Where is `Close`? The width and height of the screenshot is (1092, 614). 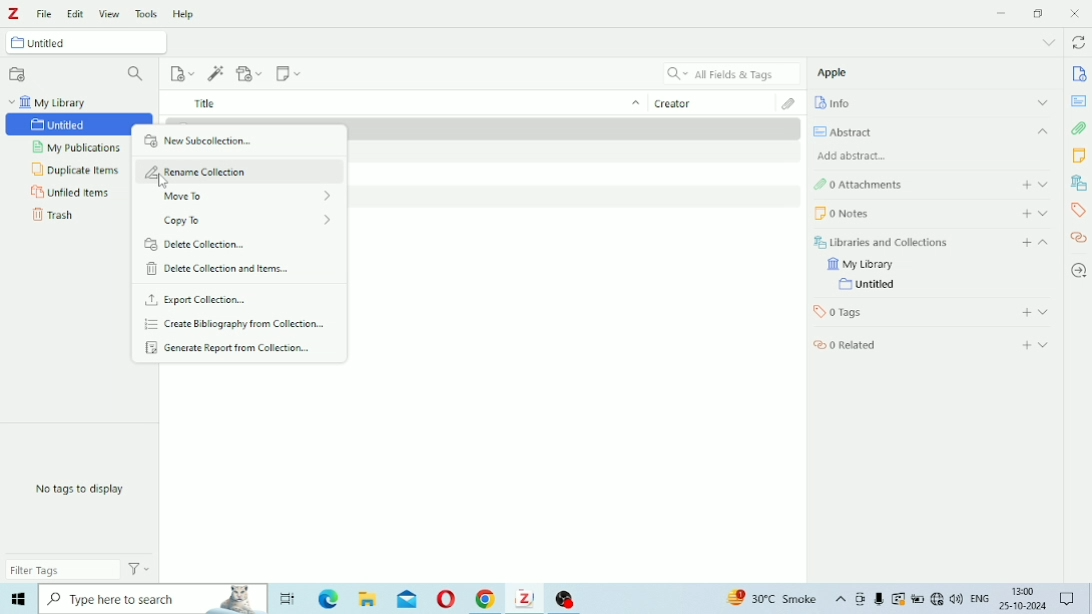
Close is located at coordinates (1075, 14).